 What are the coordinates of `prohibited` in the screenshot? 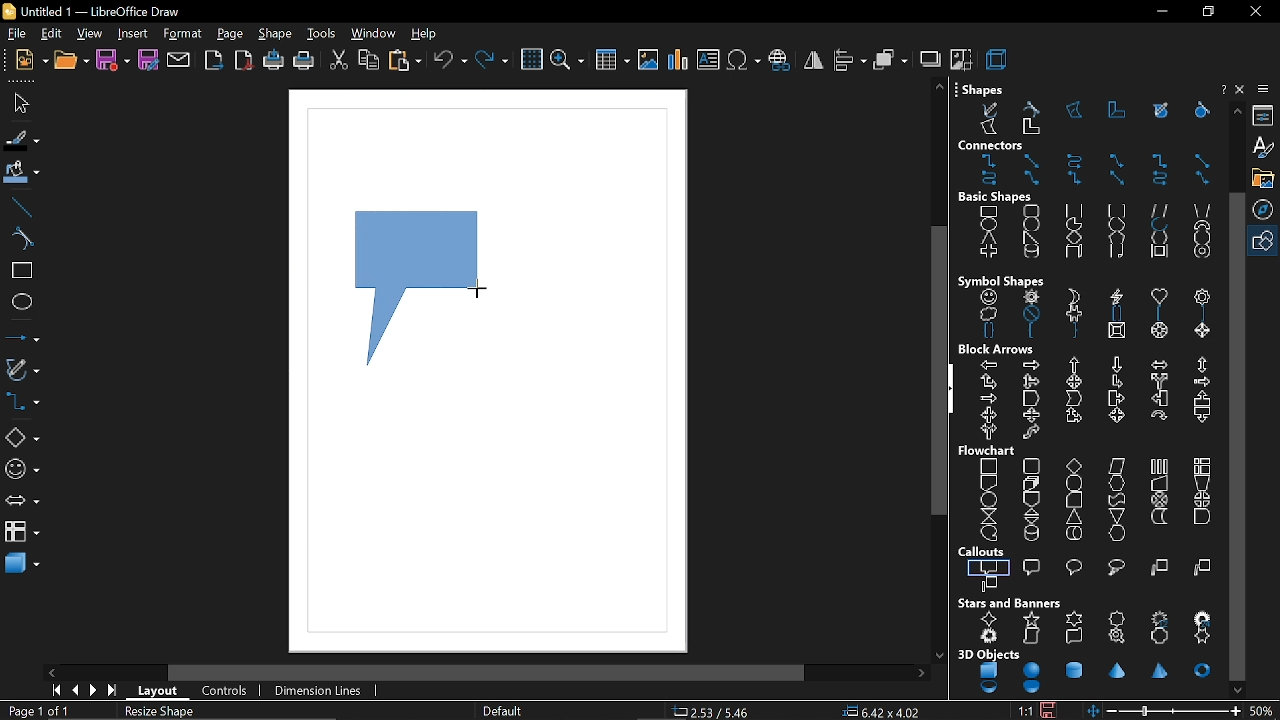 It's located at (1028, 315).